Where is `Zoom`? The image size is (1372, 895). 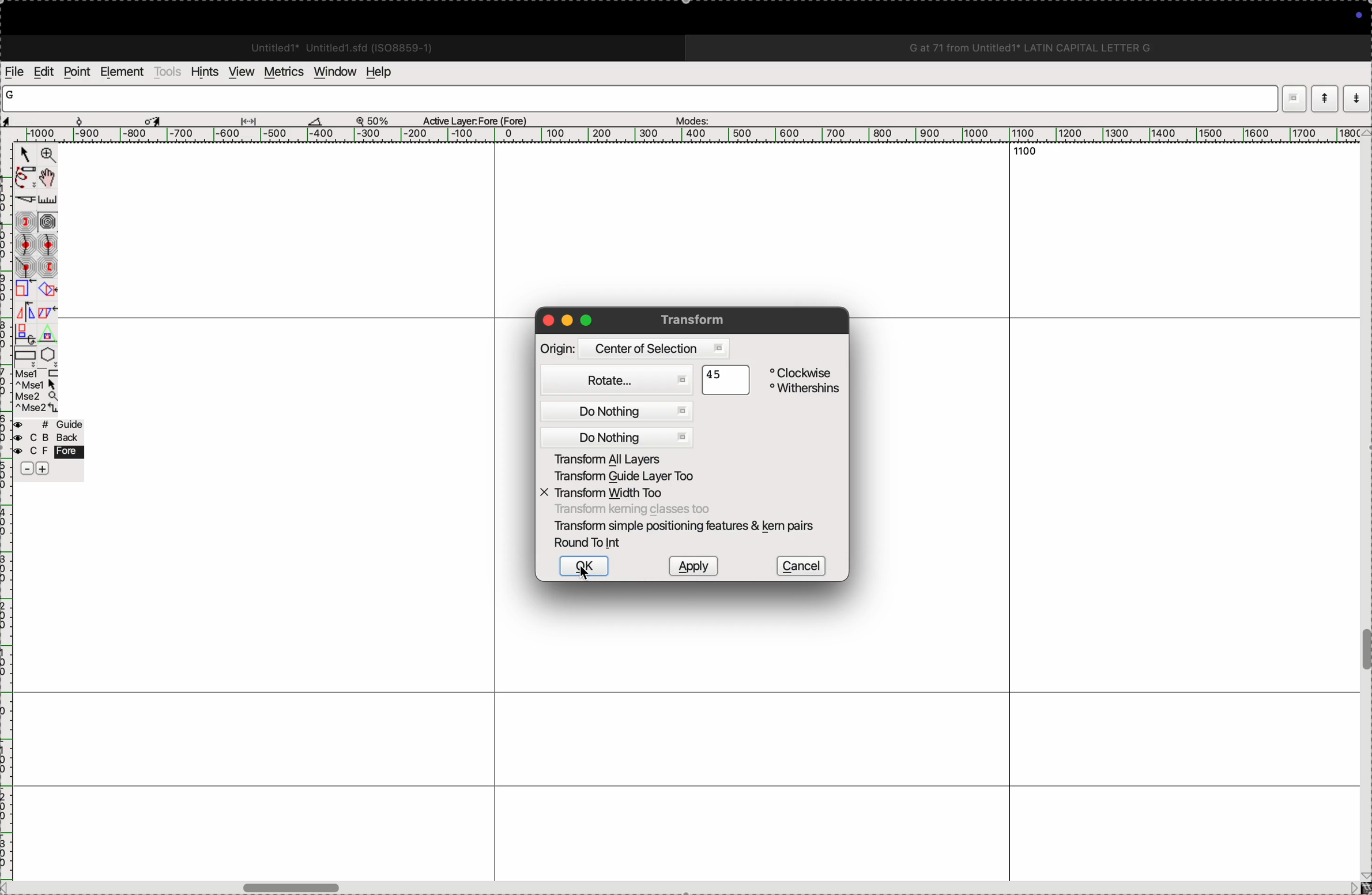 Zoom is located at coordinates (47, 155).